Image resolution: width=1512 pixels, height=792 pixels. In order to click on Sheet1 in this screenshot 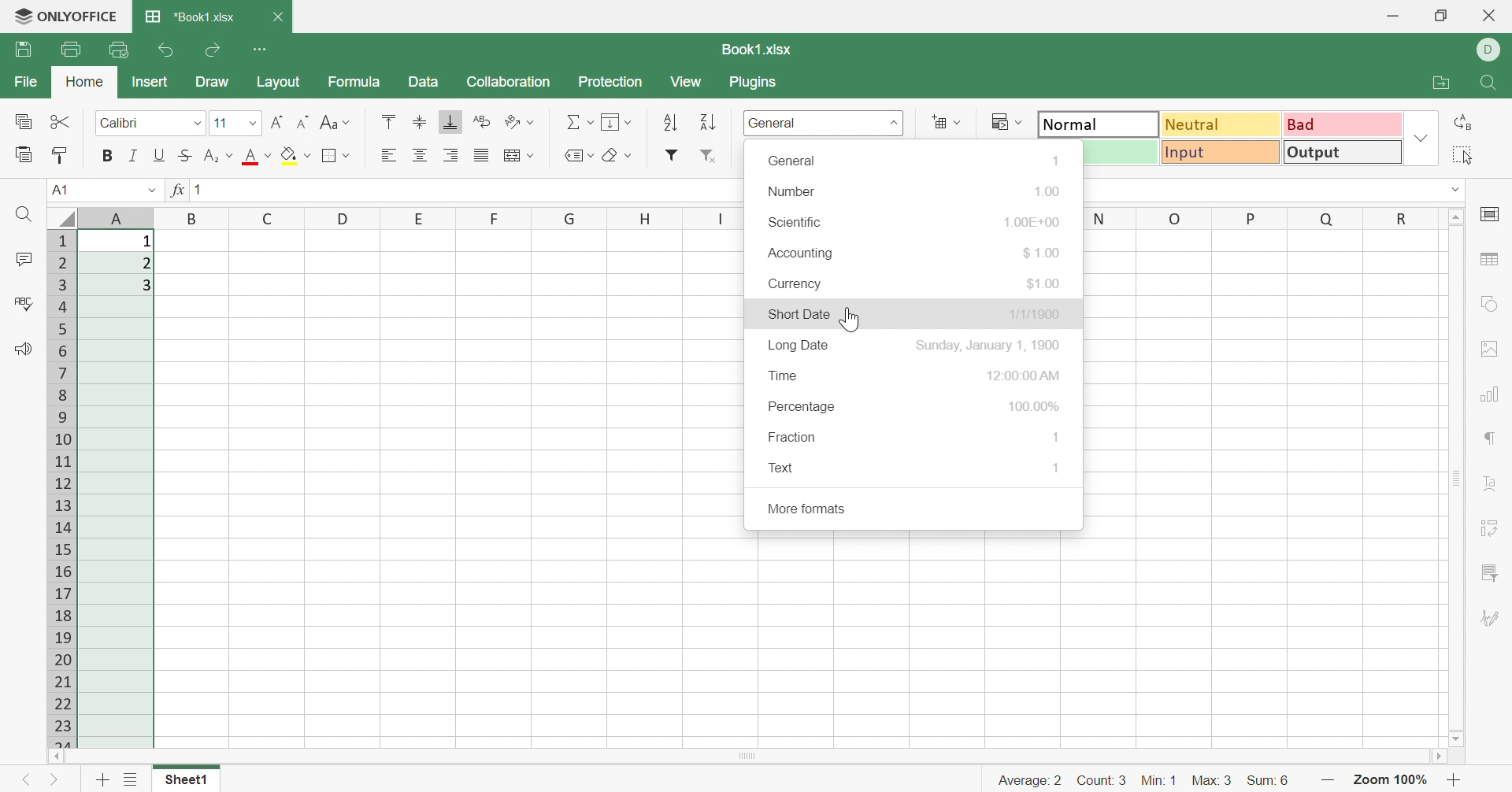, I will do `click(185, 780)`.